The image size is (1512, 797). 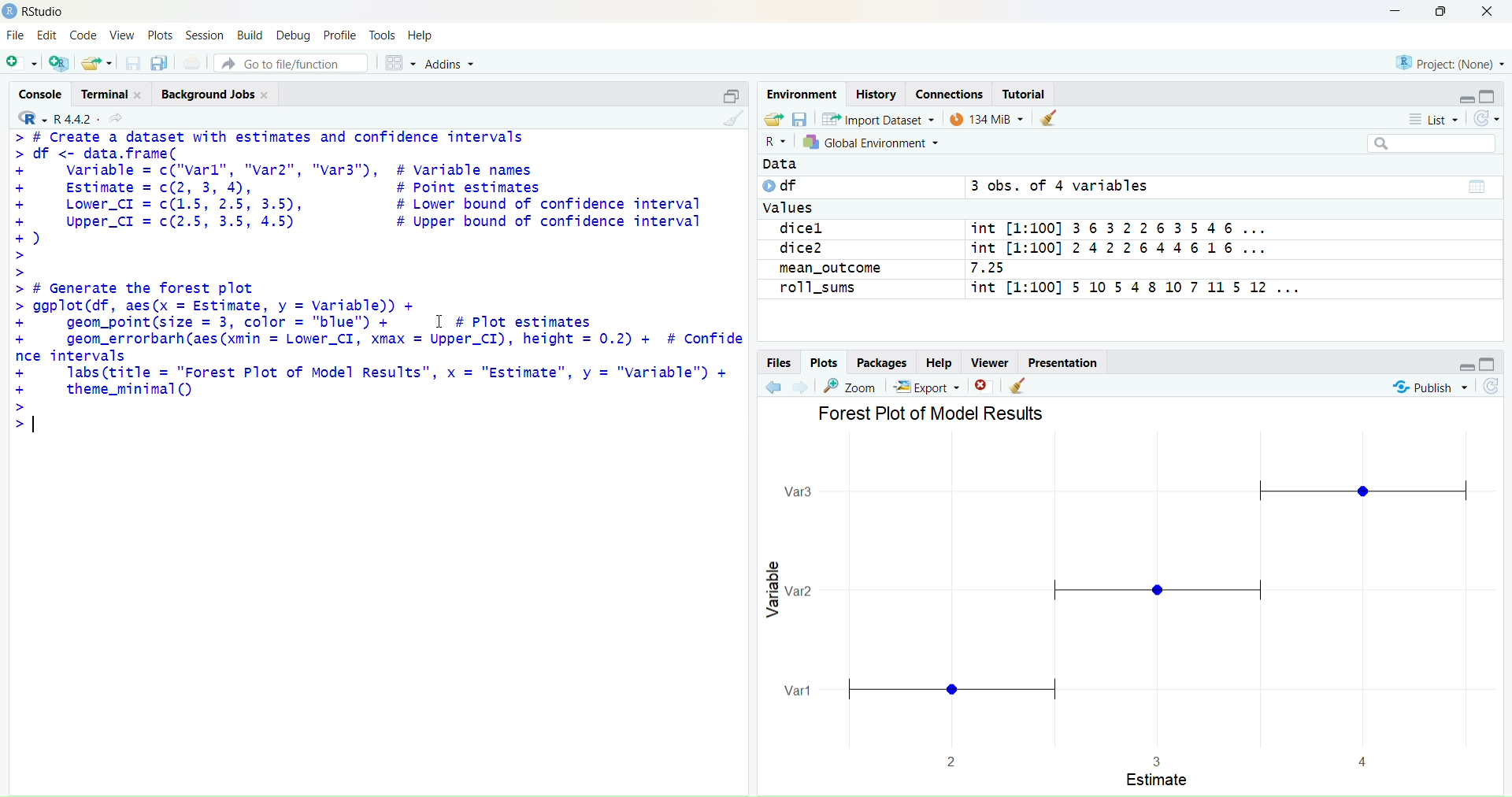 What do you see at coordinates (1020, 385) in the screenshot?
I see `clear` at bounding box center [1020, 385].